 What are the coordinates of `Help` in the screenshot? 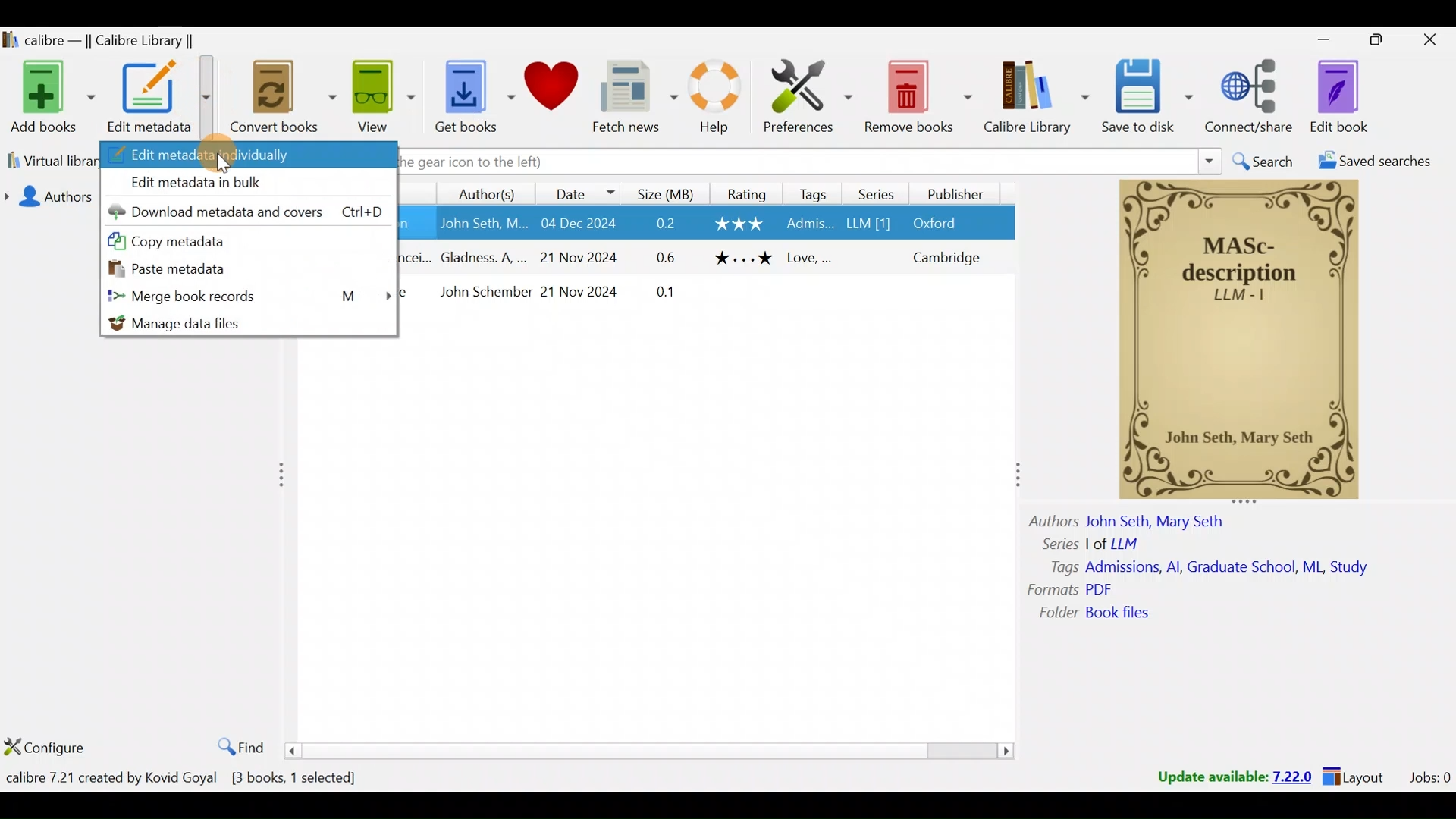 It's located at (721, 102).